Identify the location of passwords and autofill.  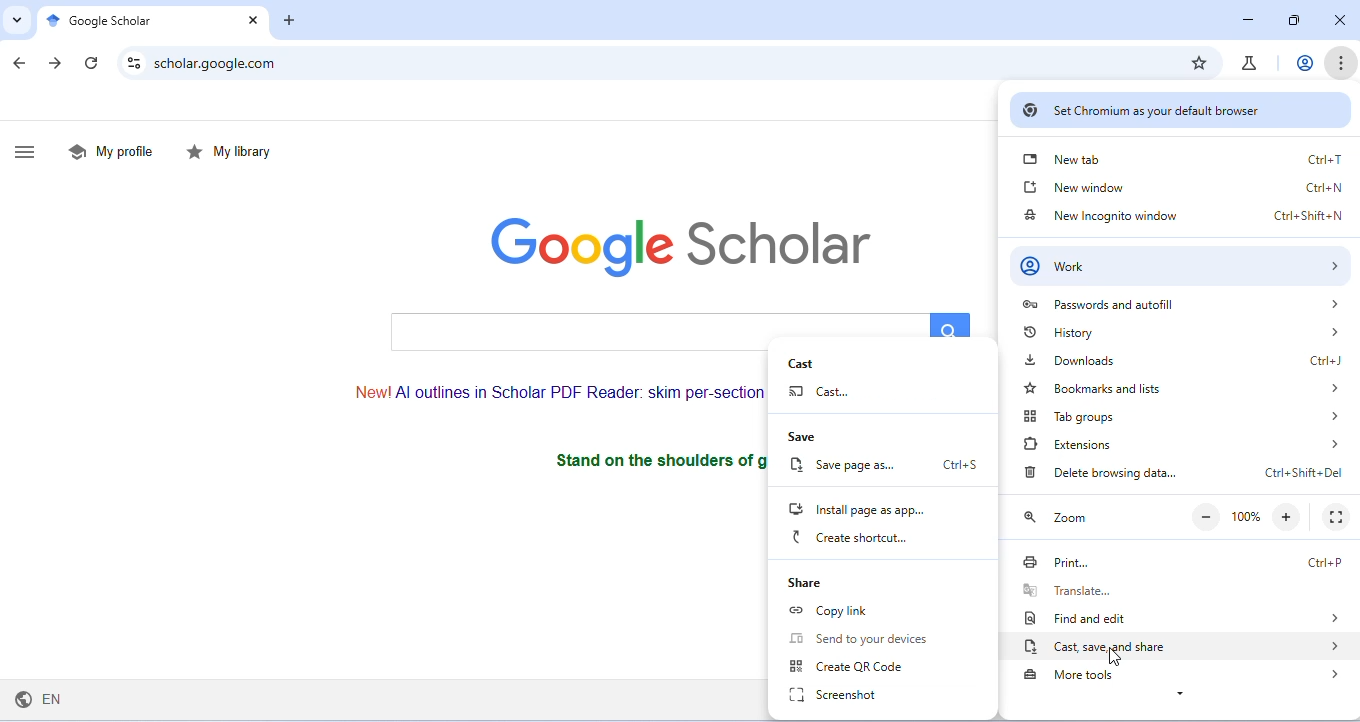
(1182, 304).